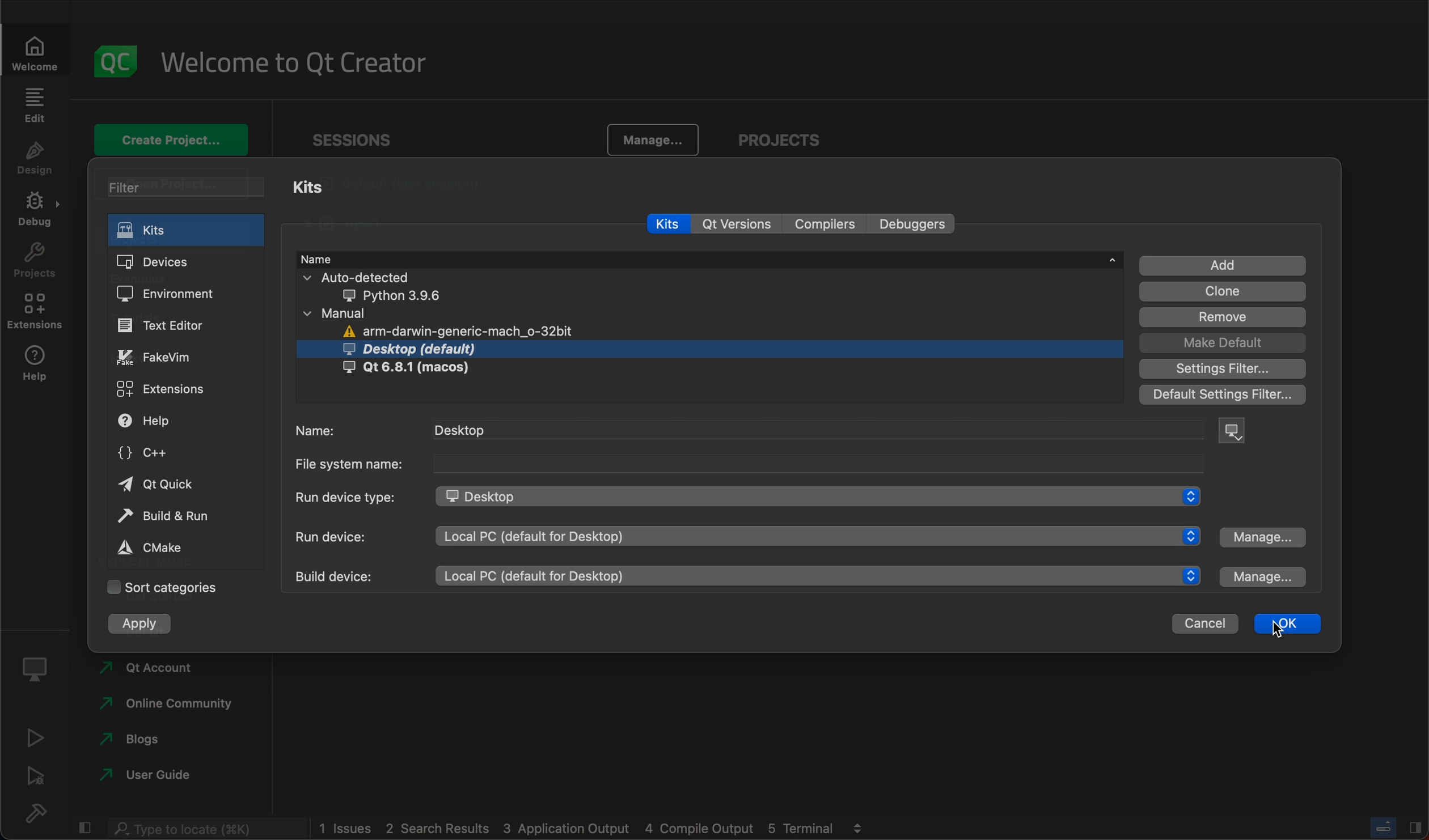 This screenshot has height=840, width=1429. Describe the element at coordinates (36, 313) in the screenshot. I see `extensions` at that location.